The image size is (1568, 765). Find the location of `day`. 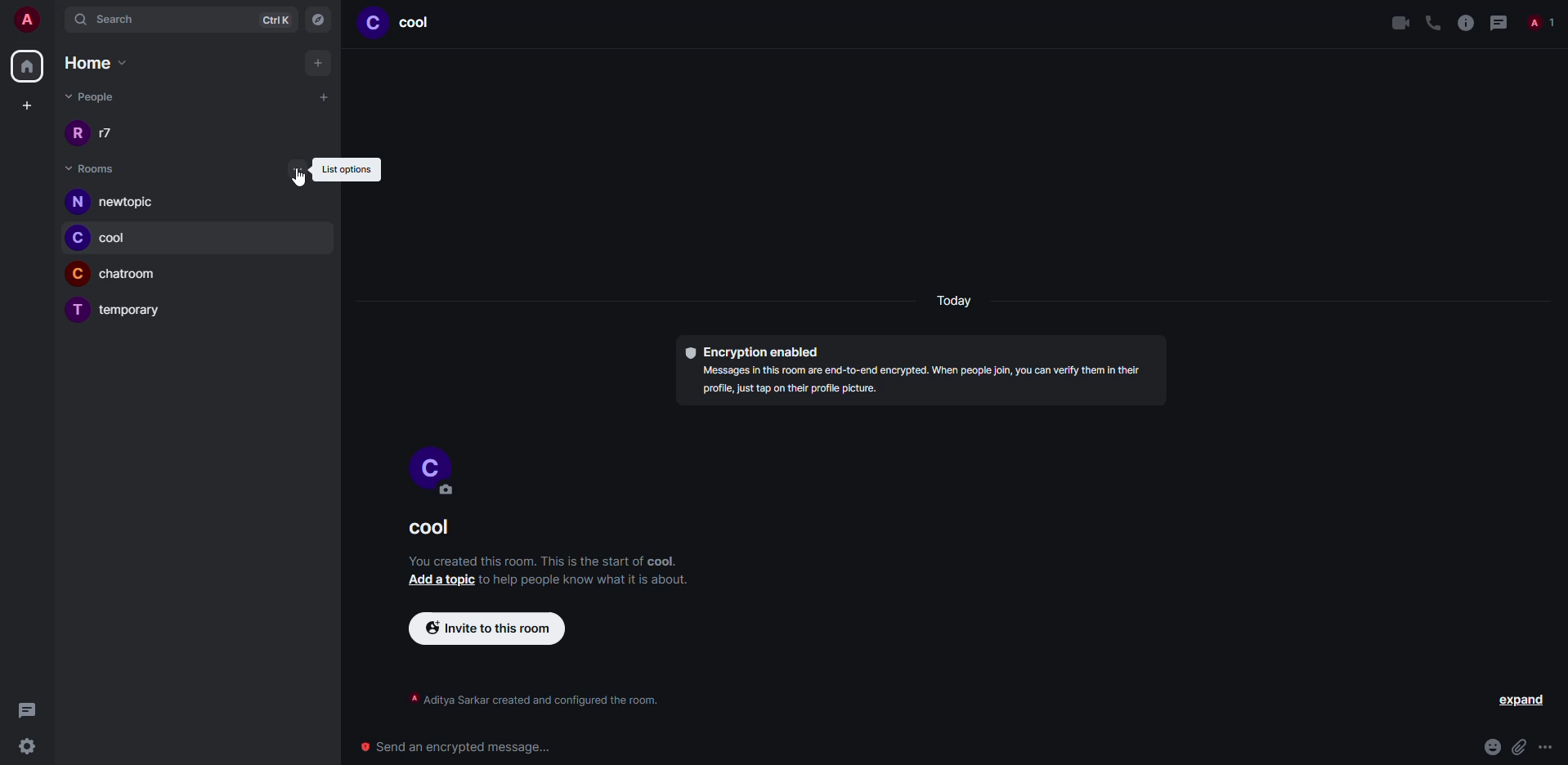

day is located at coordinates (961, 302).